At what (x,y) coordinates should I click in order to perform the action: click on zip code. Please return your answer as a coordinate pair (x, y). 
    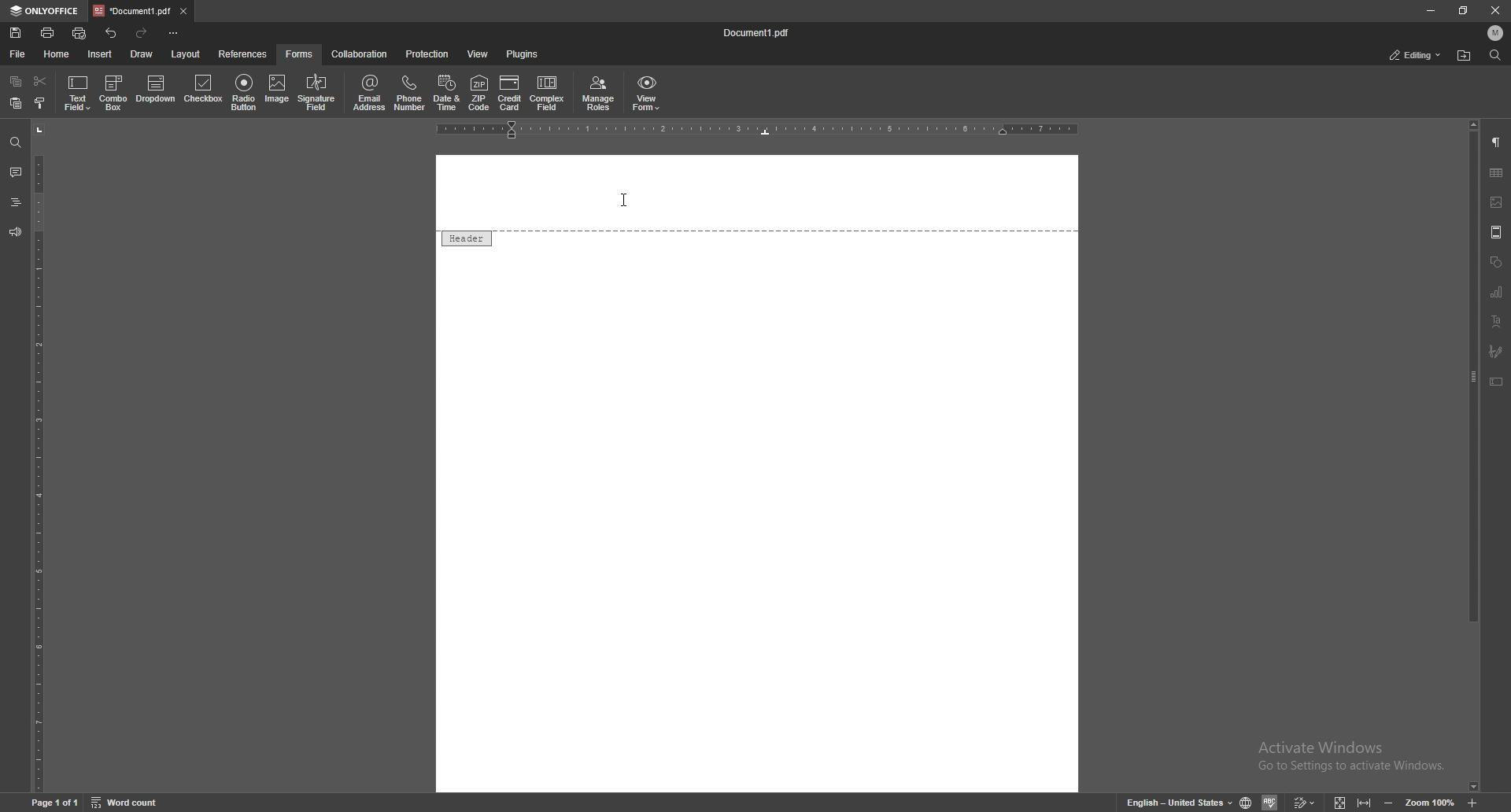
    Looking at the image, I should click on (479, 93).